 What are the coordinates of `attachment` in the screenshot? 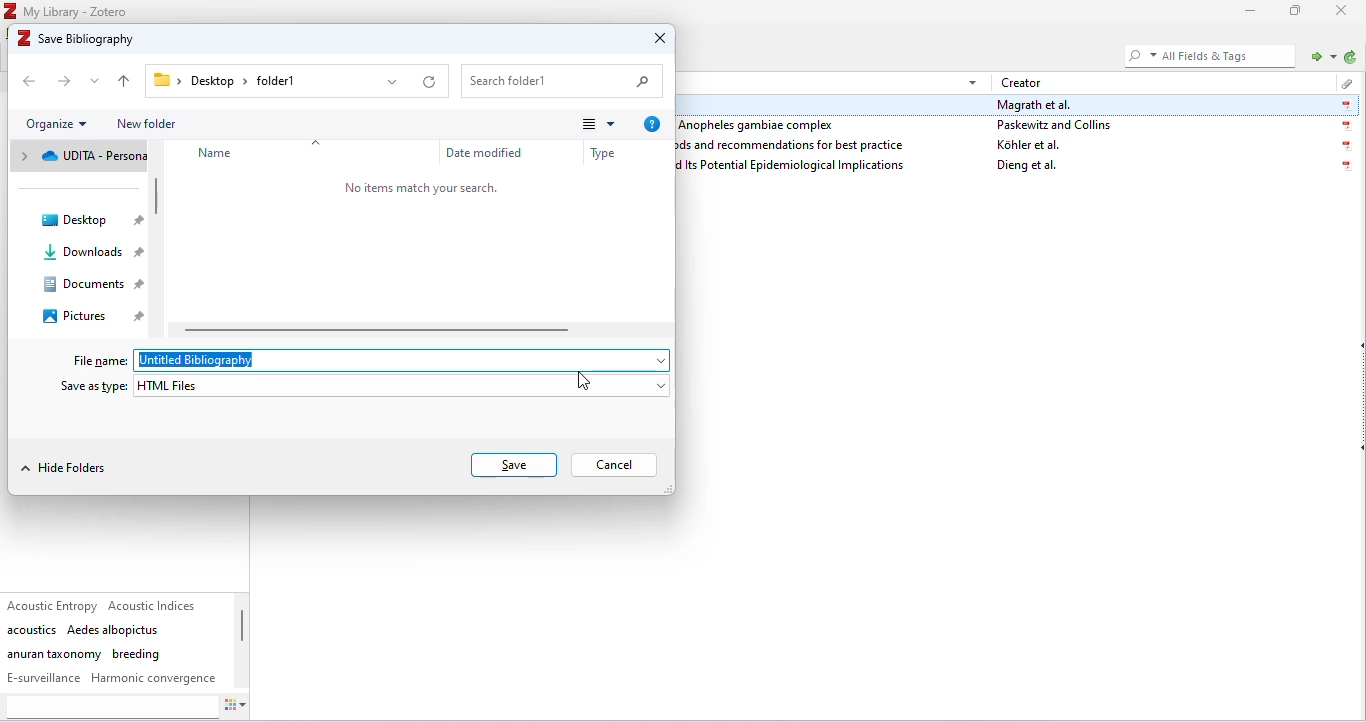 It's located at (1343, 81).